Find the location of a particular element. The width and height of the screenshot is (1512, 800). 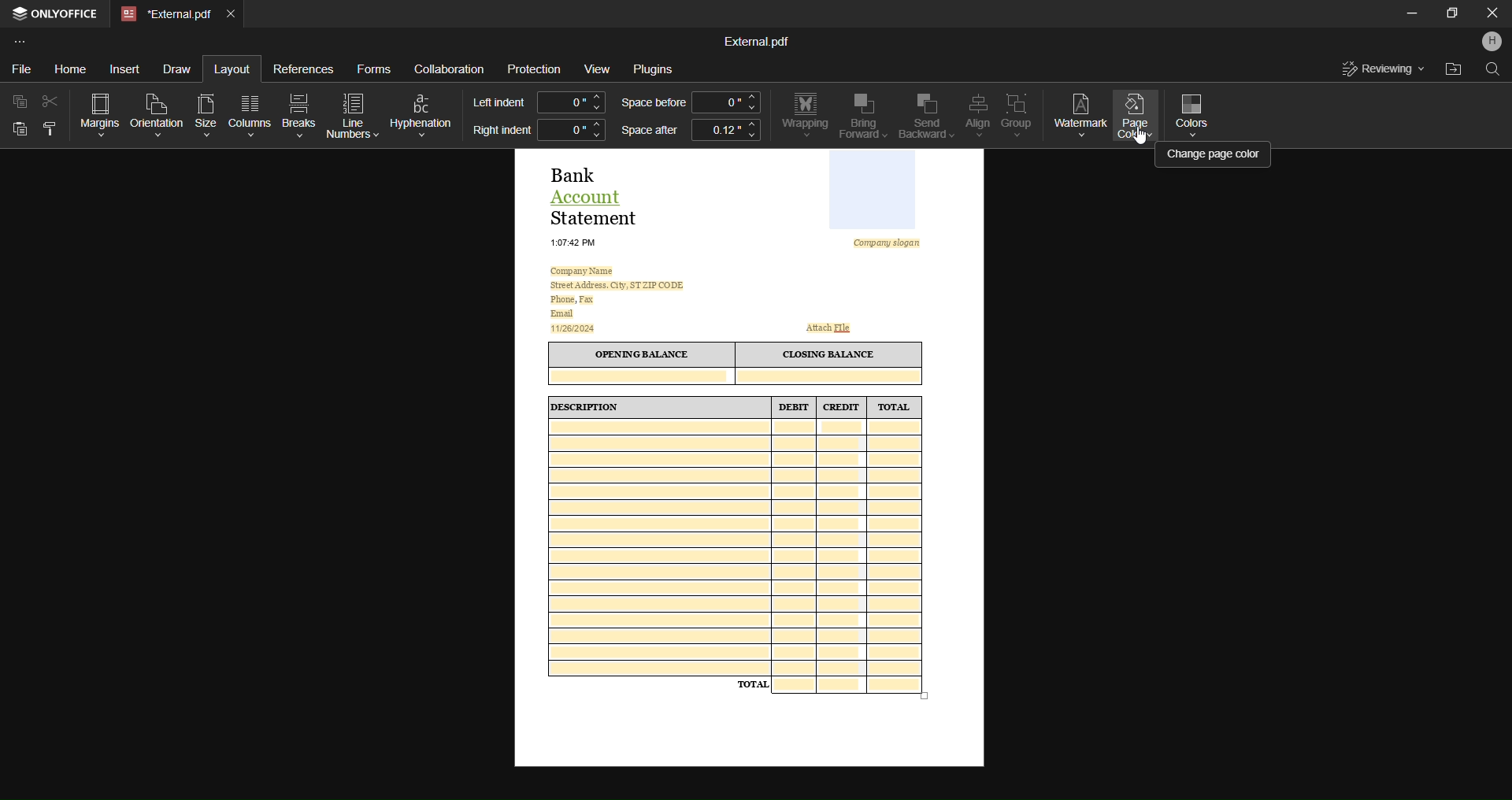

Close is located at coordinates (1492, 15).